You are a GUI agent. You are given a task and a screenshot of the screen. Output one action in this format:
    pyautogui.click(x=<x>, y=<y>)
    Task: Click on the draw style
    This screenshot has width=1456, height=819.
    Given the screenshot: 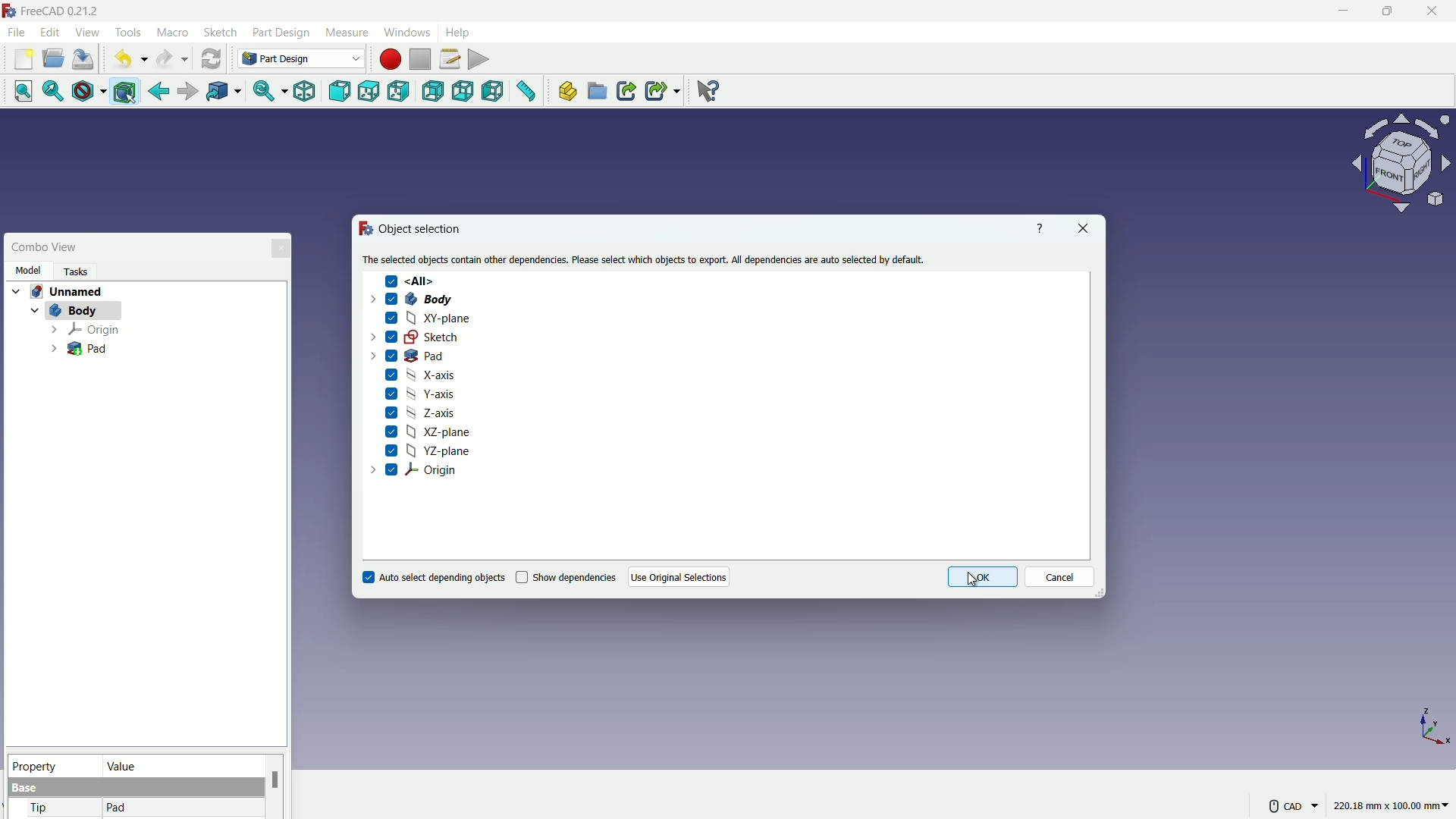 What is the action you would take?
    pyautogui.click(x=86, y=92)
    